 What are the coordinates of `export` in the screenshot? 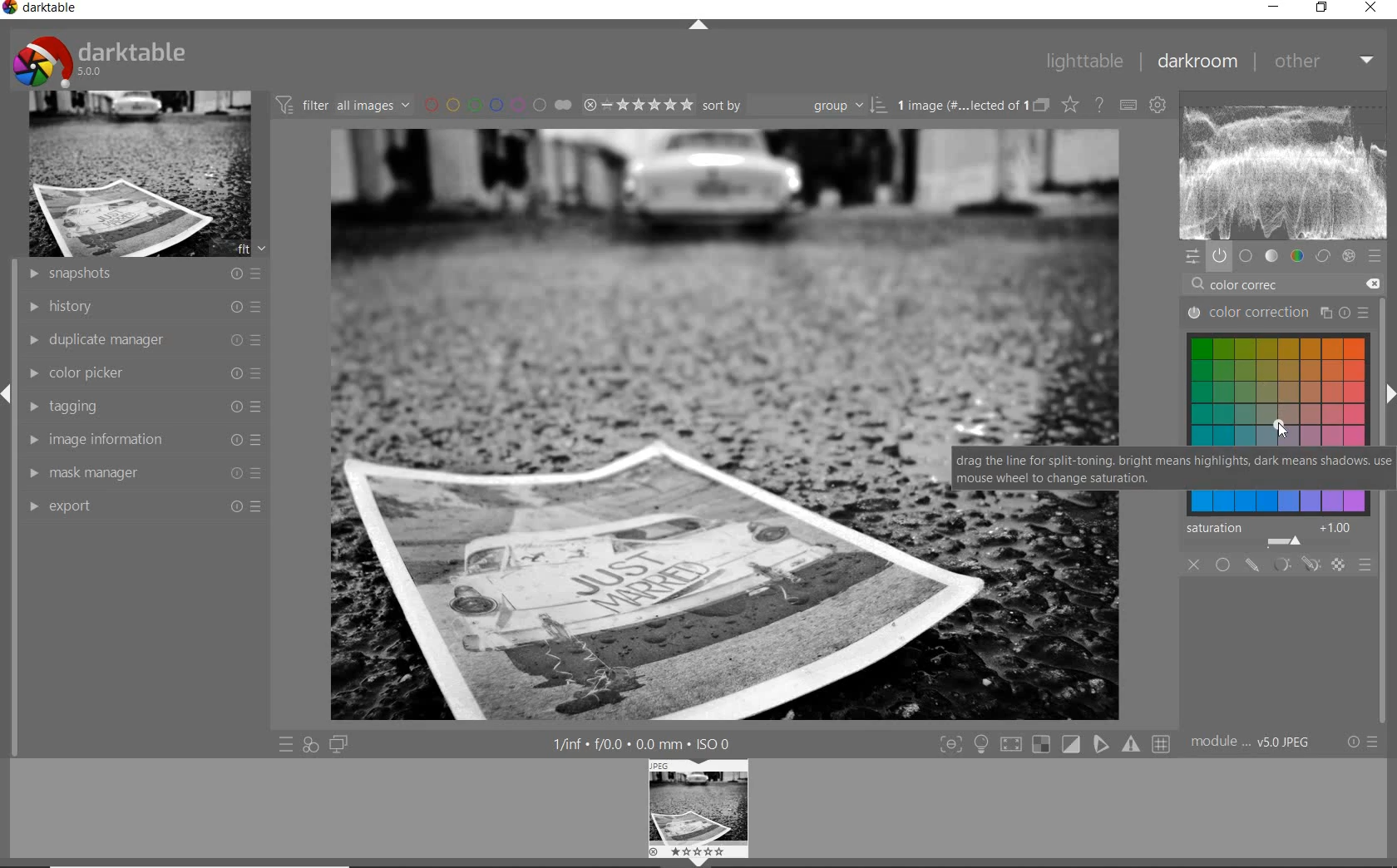 It's located at (143, 505).